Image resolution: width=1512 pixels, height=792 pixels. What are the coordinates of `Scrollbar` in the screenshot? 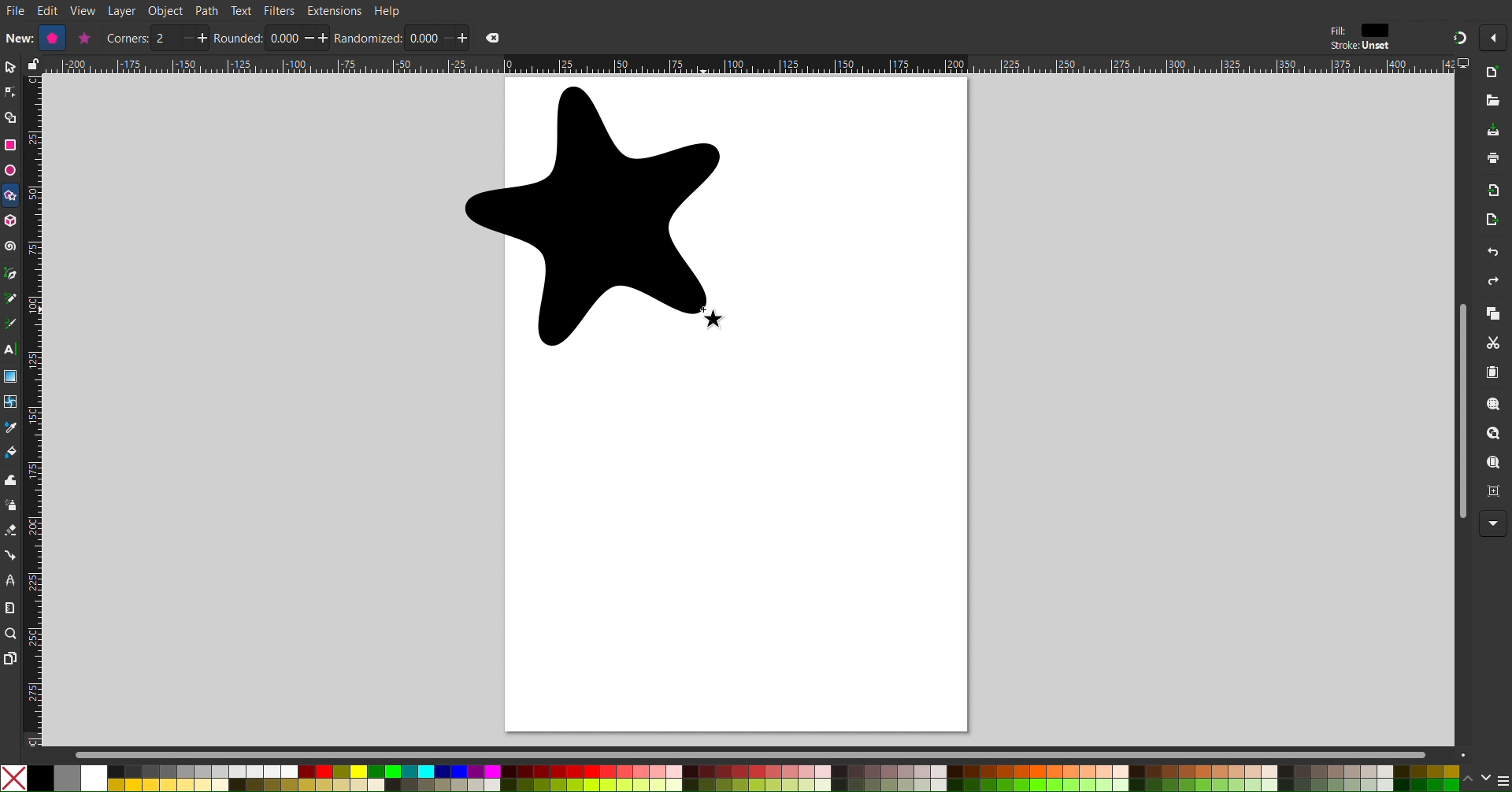 It's located at (773, 754).